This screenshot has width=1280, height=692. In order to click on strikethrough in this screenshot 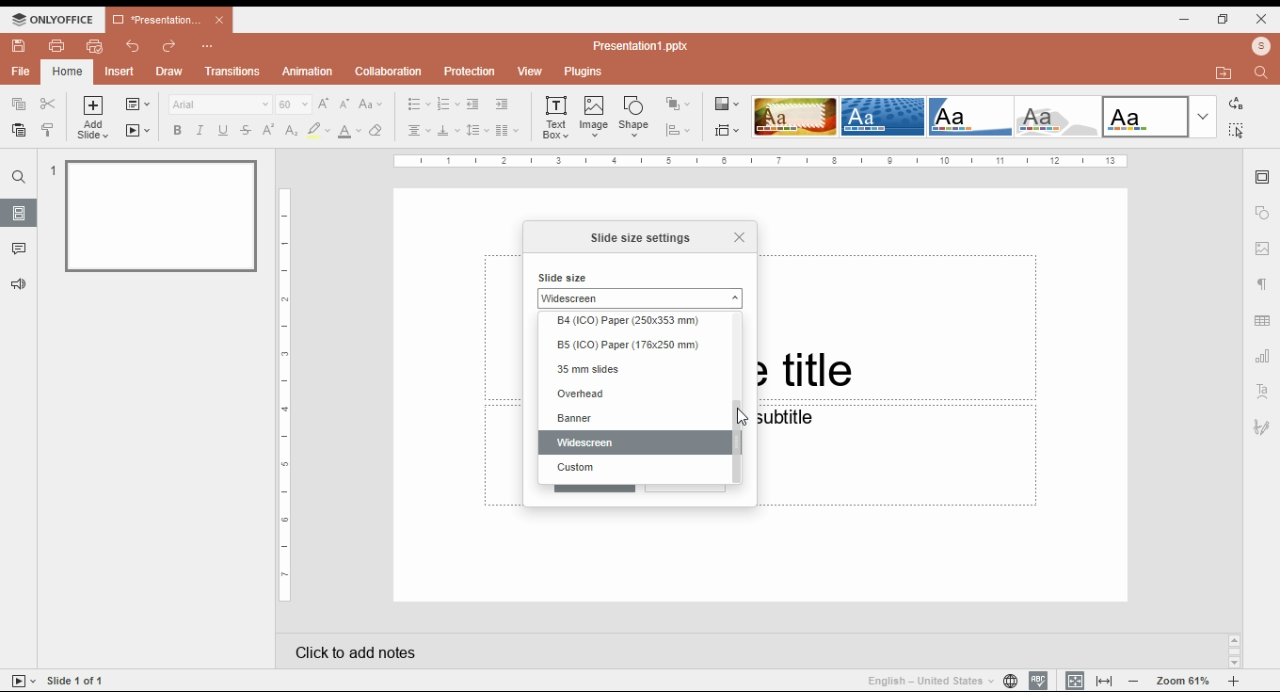, I will do `click(246, 130)`.